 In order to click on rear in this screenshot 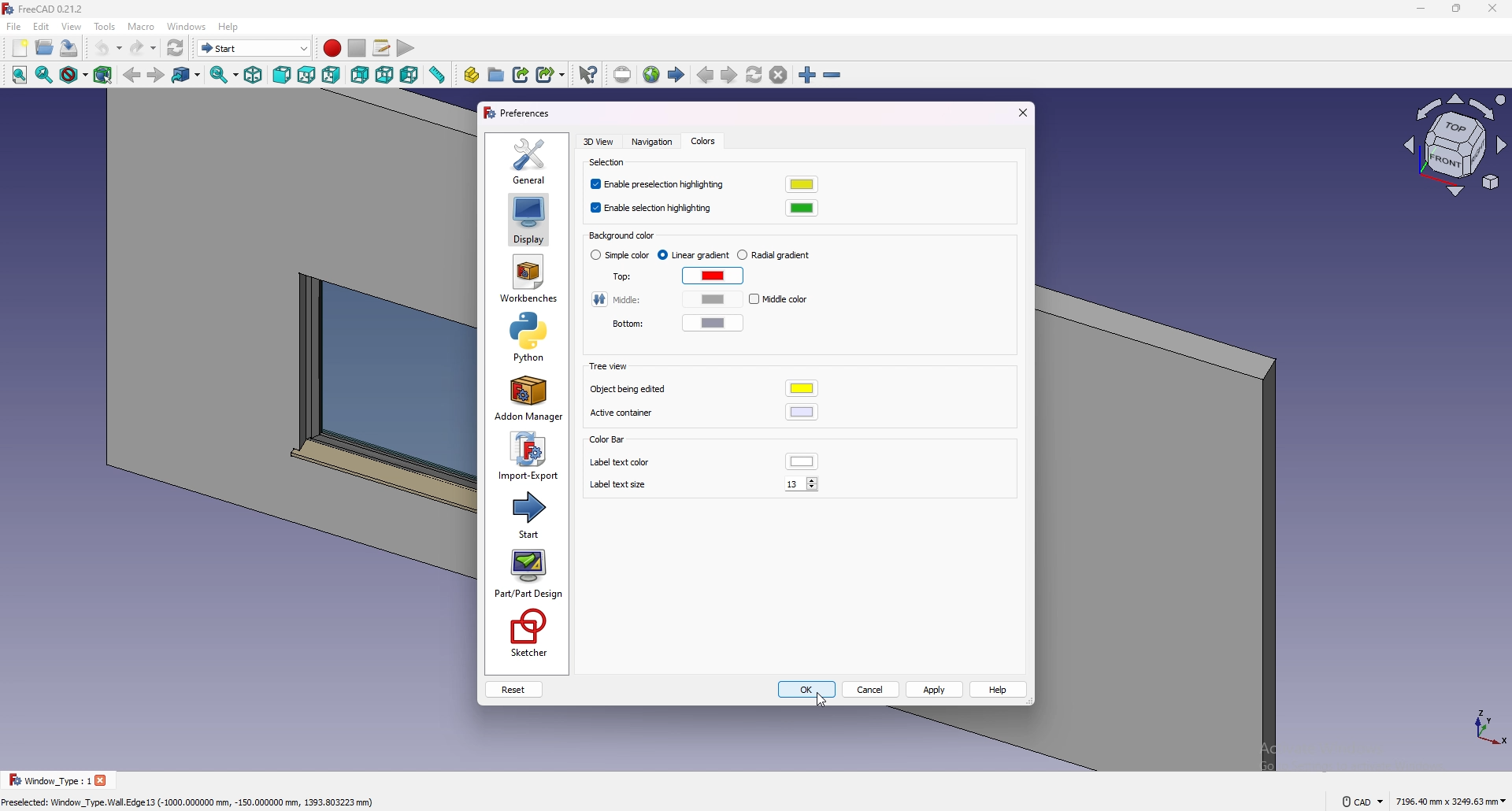, I will do `click(360, 76)`.